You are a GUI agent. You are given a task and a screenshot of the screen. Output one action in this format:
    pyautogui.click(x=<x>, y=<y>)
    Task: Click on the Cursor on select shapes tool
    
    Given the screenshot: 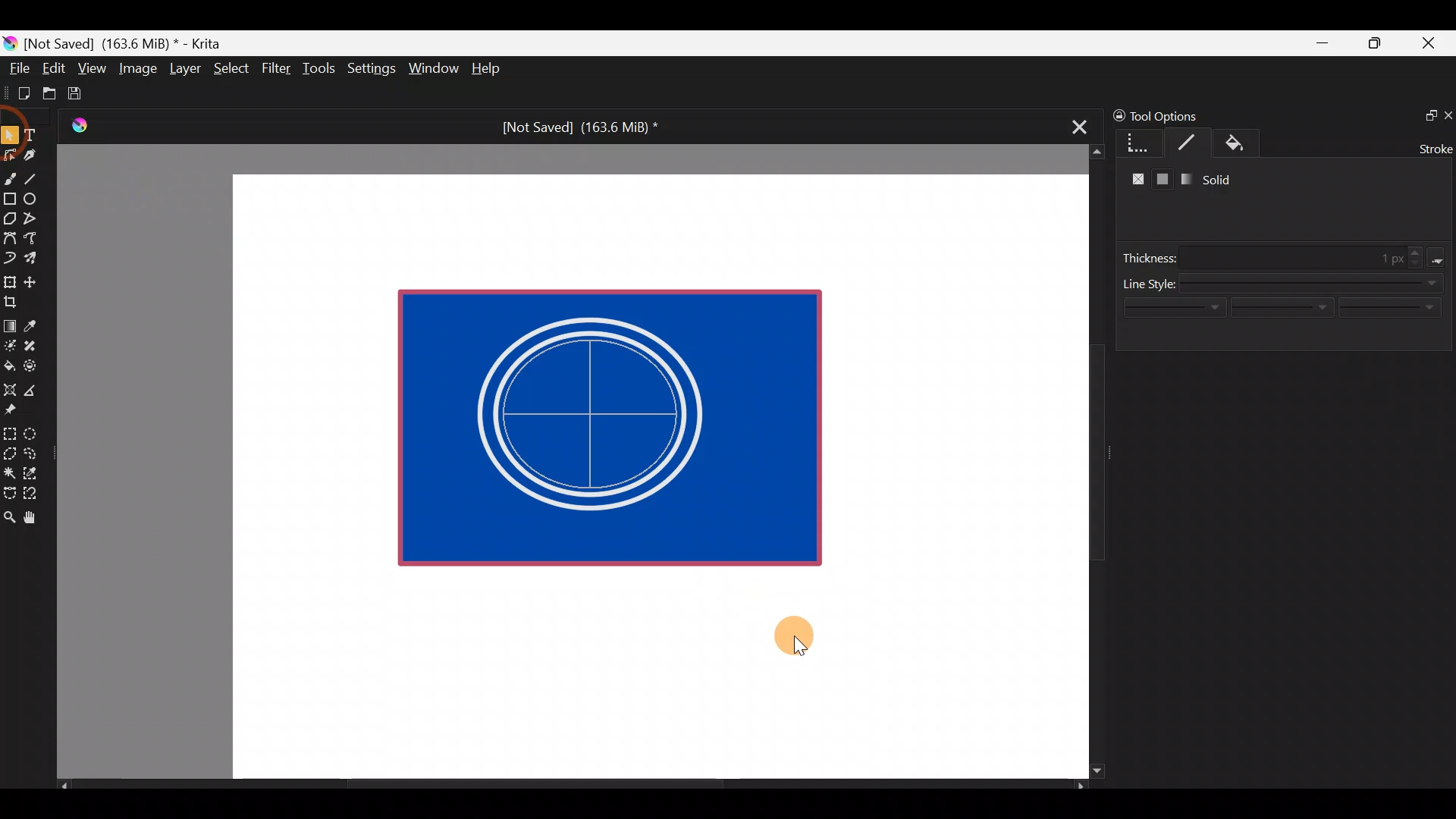 What is the action you would take?
    pyautogui.click(x=9, y=124)
    